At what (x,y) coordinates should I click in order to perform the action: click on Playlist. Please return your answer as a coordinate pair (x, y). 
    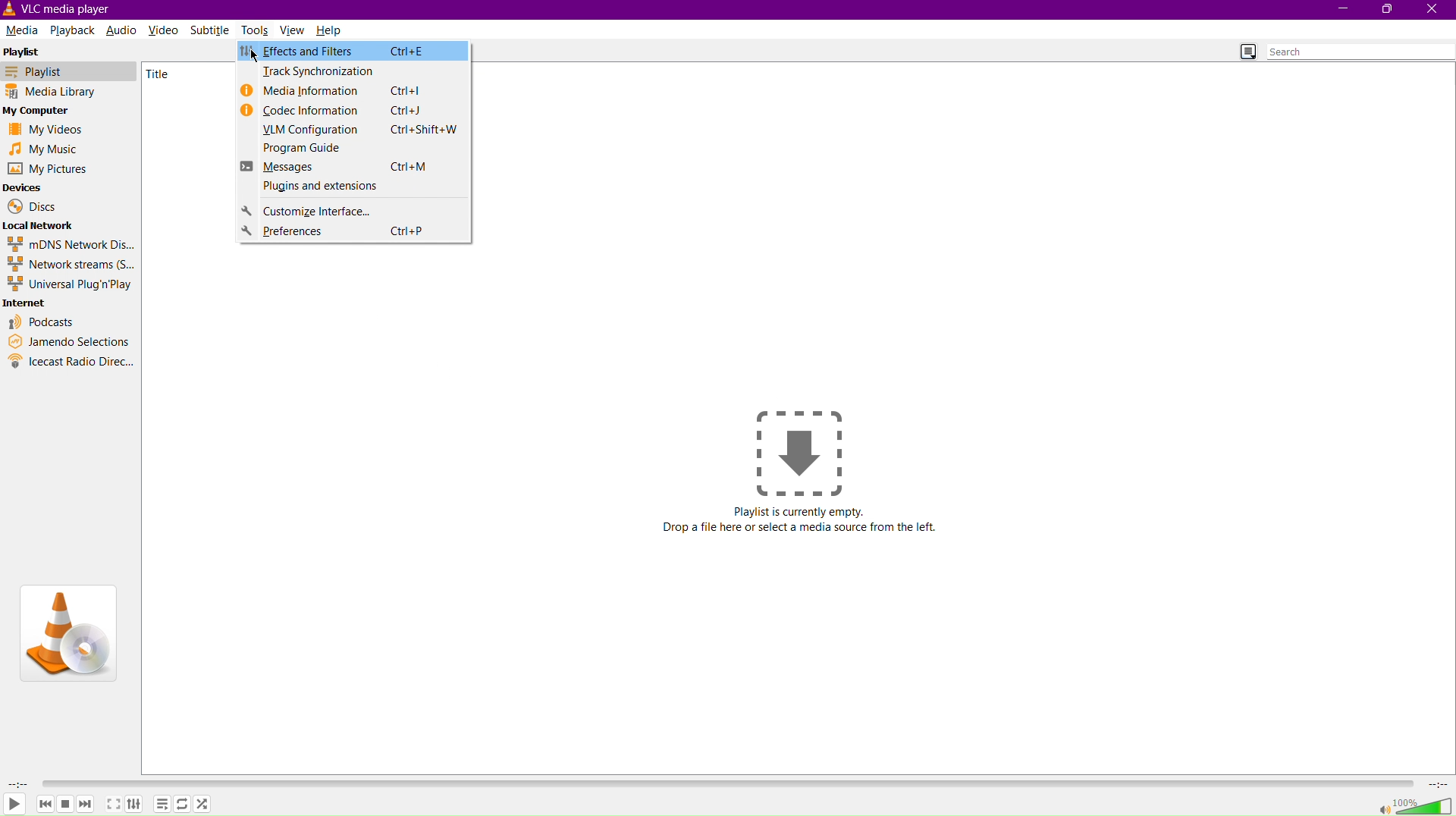
    Looking at the image, I should click on (32, 52).